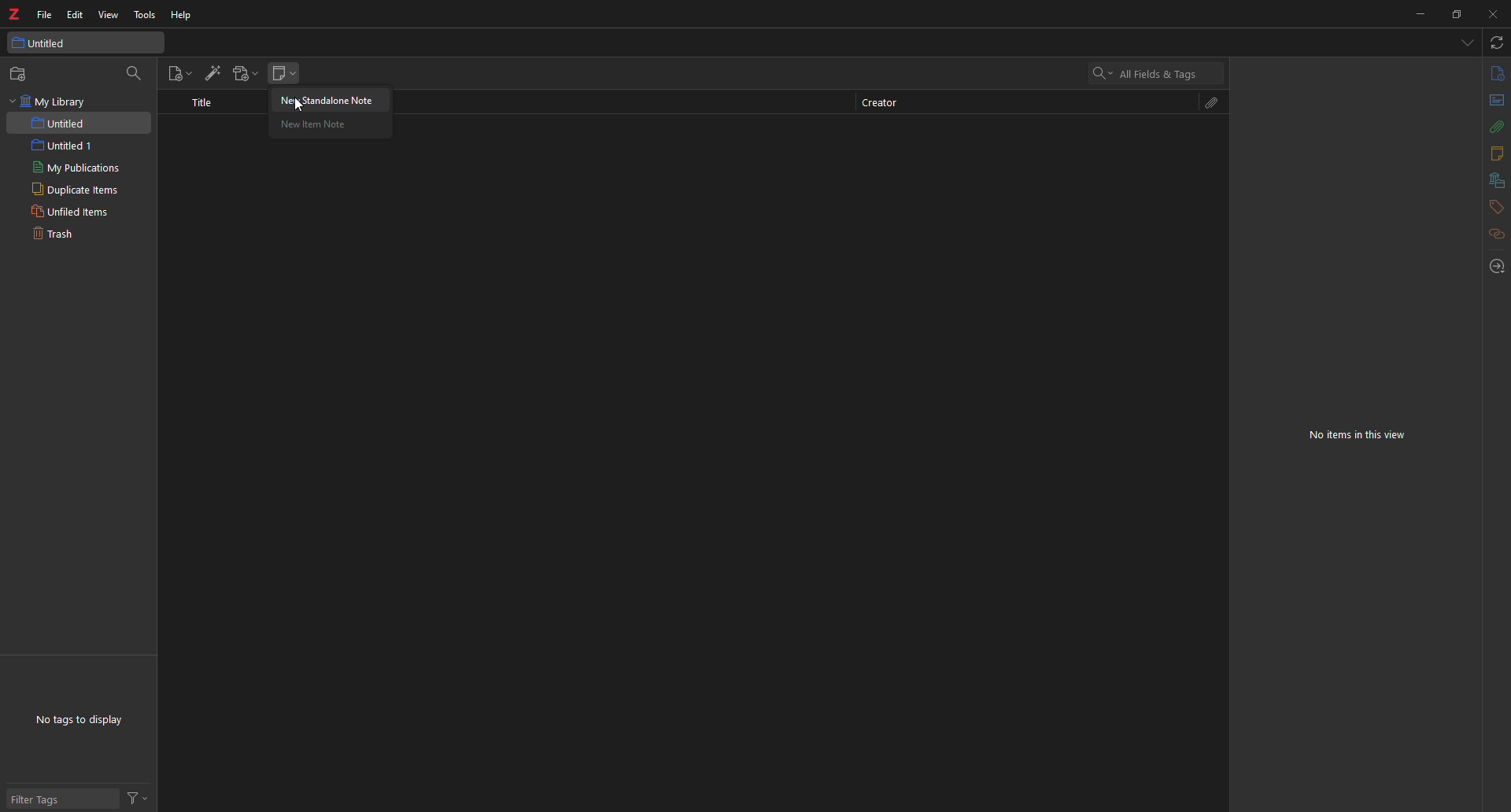 The width and height of the screenshot is (1511, 812). Describe the element at coordinates (1148, 72) in the screenshot. I see `all fields and tags` at that location.